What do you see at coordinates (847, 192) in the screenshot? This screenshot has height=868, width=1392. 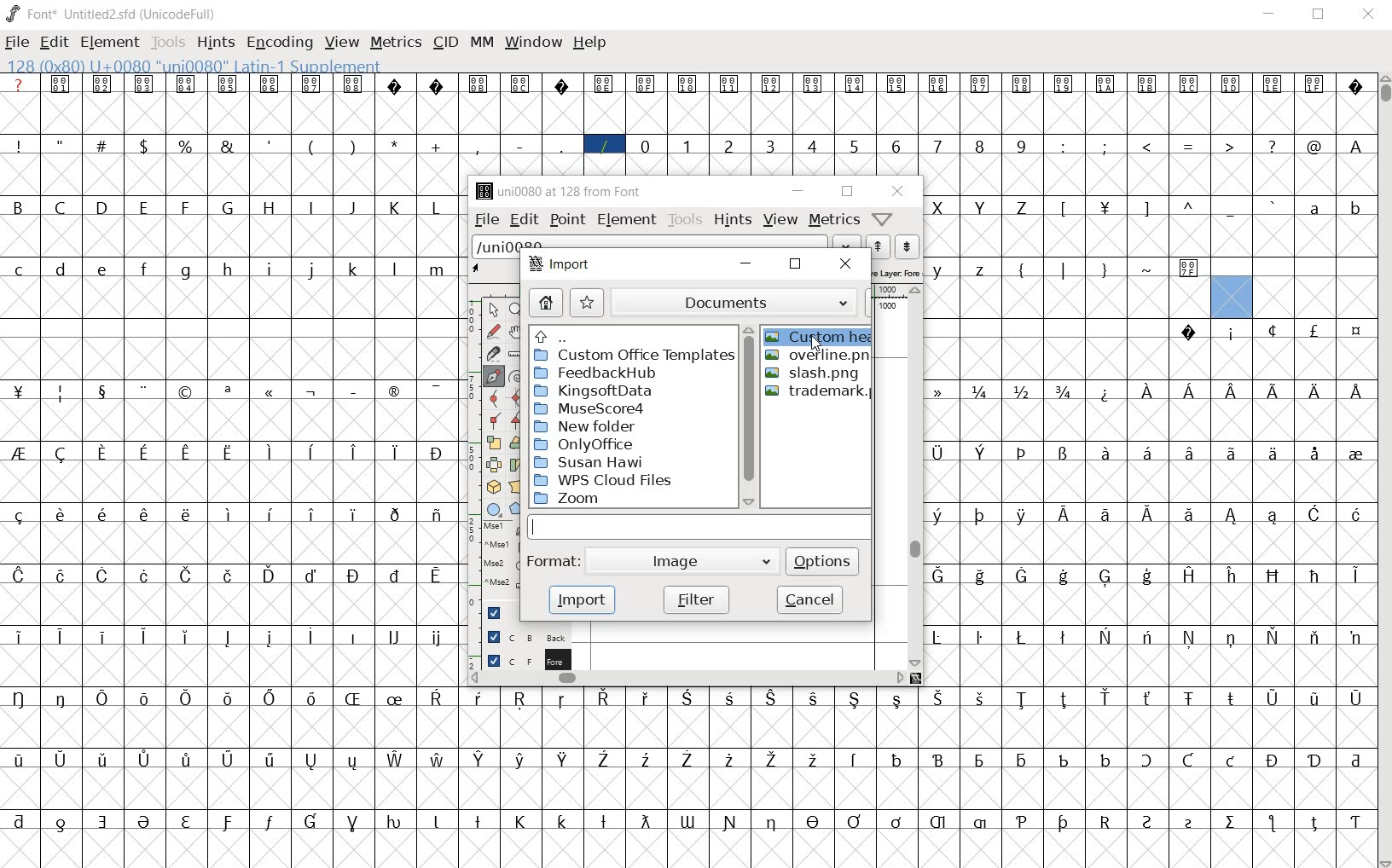 I see `restore` at bounding box center [847, 192].